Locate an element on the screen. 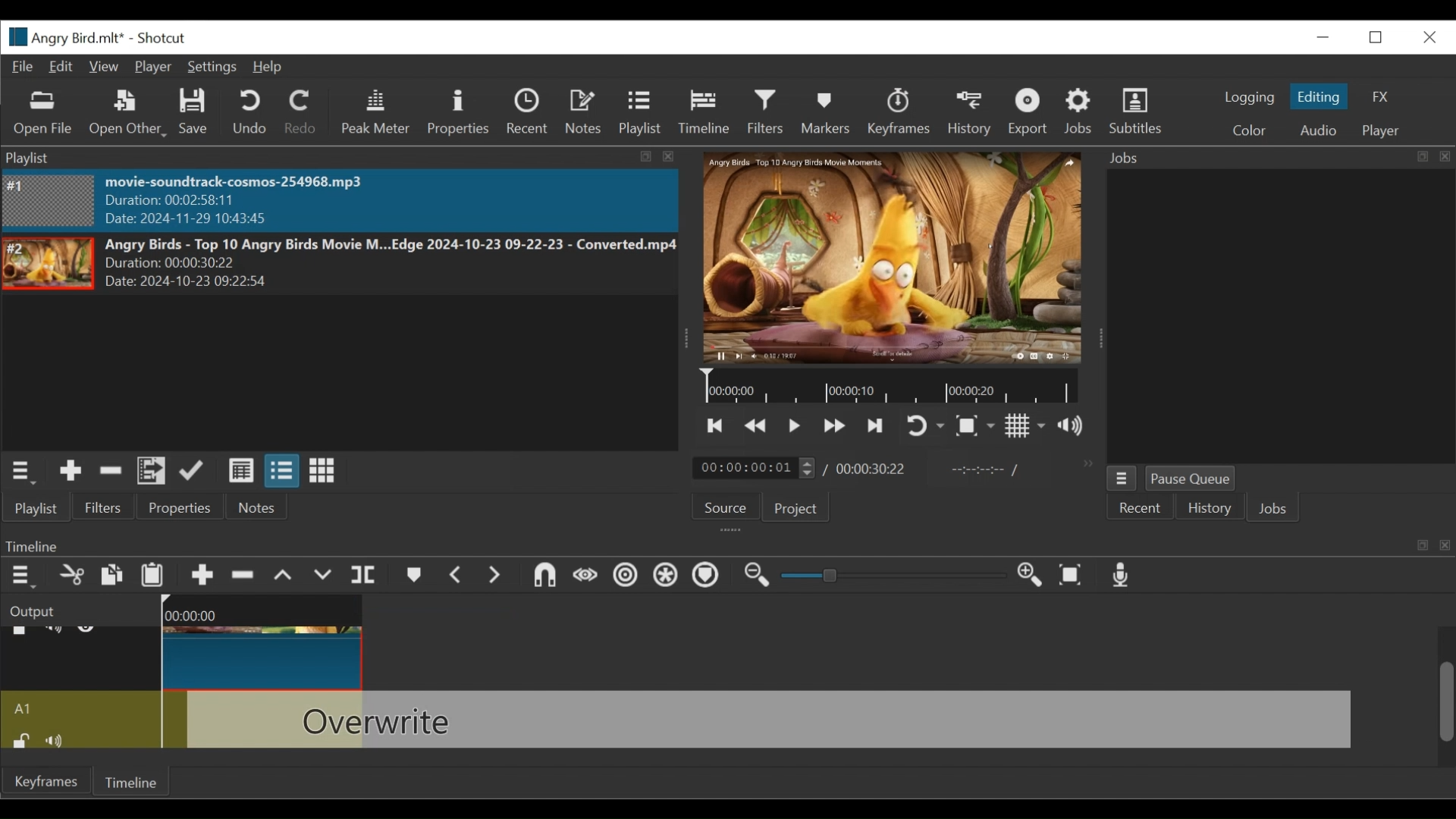  File Name is located at coordinates (65, 36).